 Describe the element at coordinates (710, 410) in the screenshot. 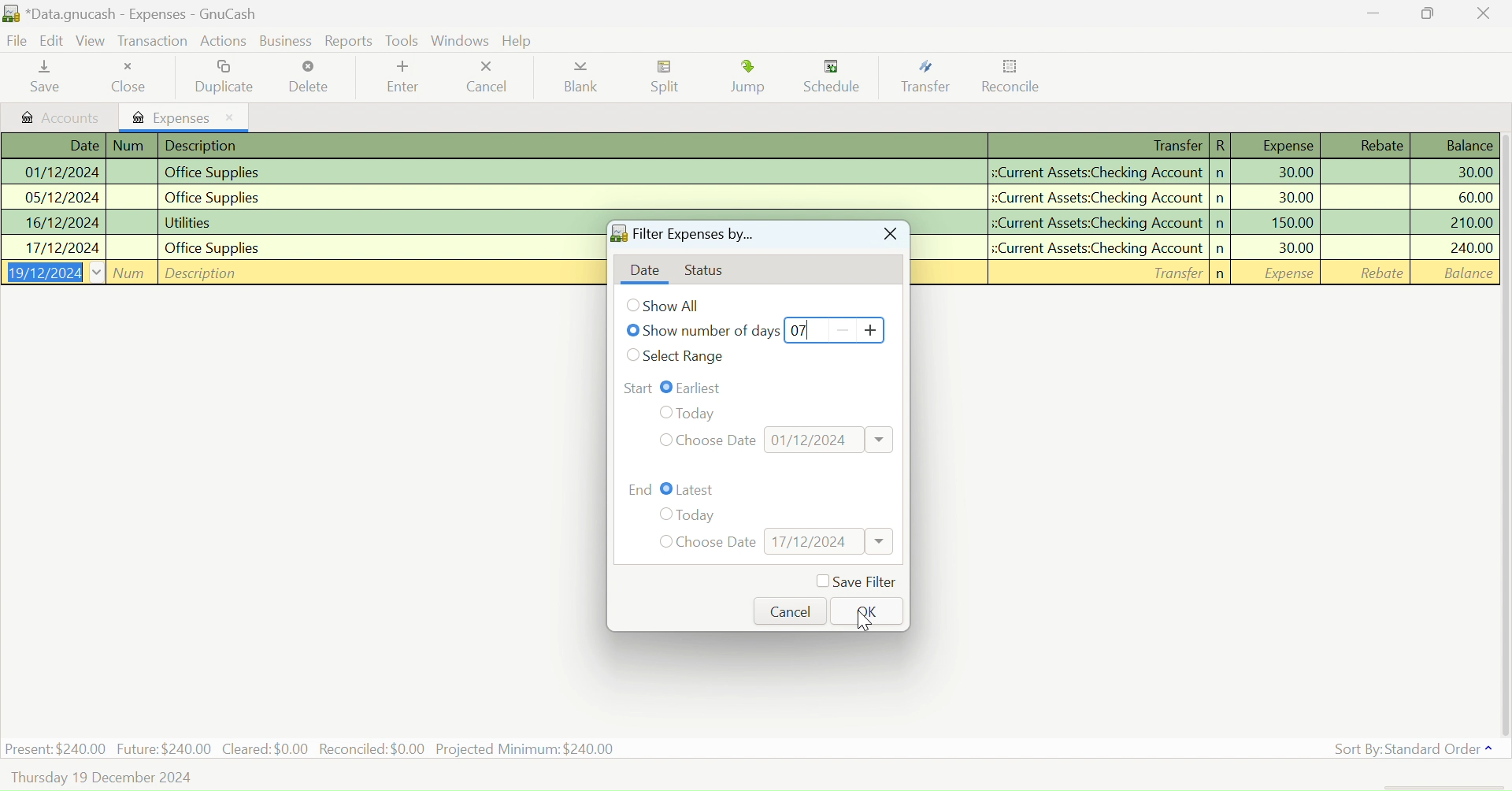

I see `Today` at that location.